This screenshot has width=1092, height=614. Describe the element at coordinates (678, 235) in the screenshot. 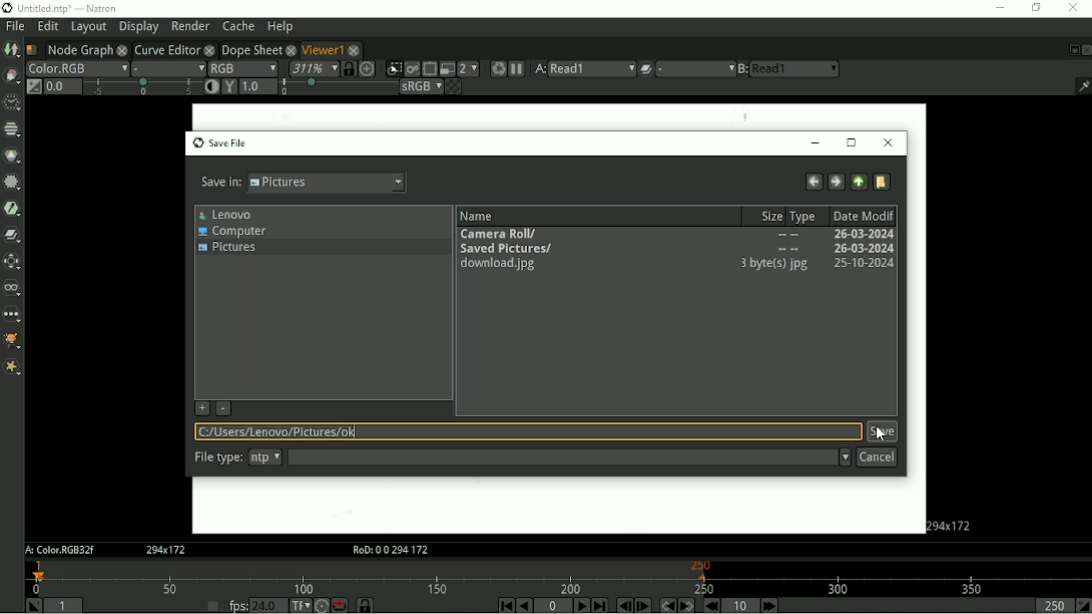

I see `Camera Roll/` at that location.